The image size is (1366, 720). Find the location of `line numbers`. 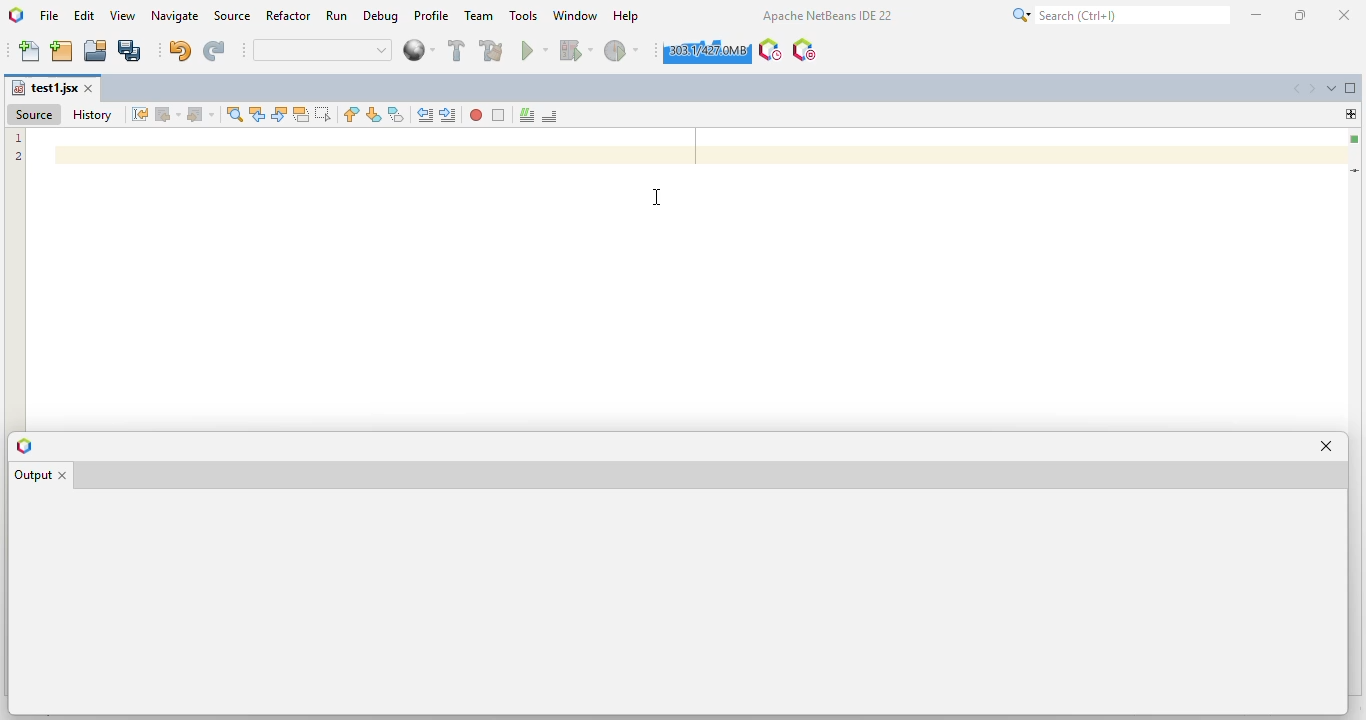

line numbers is located at coordinates (19, 148).